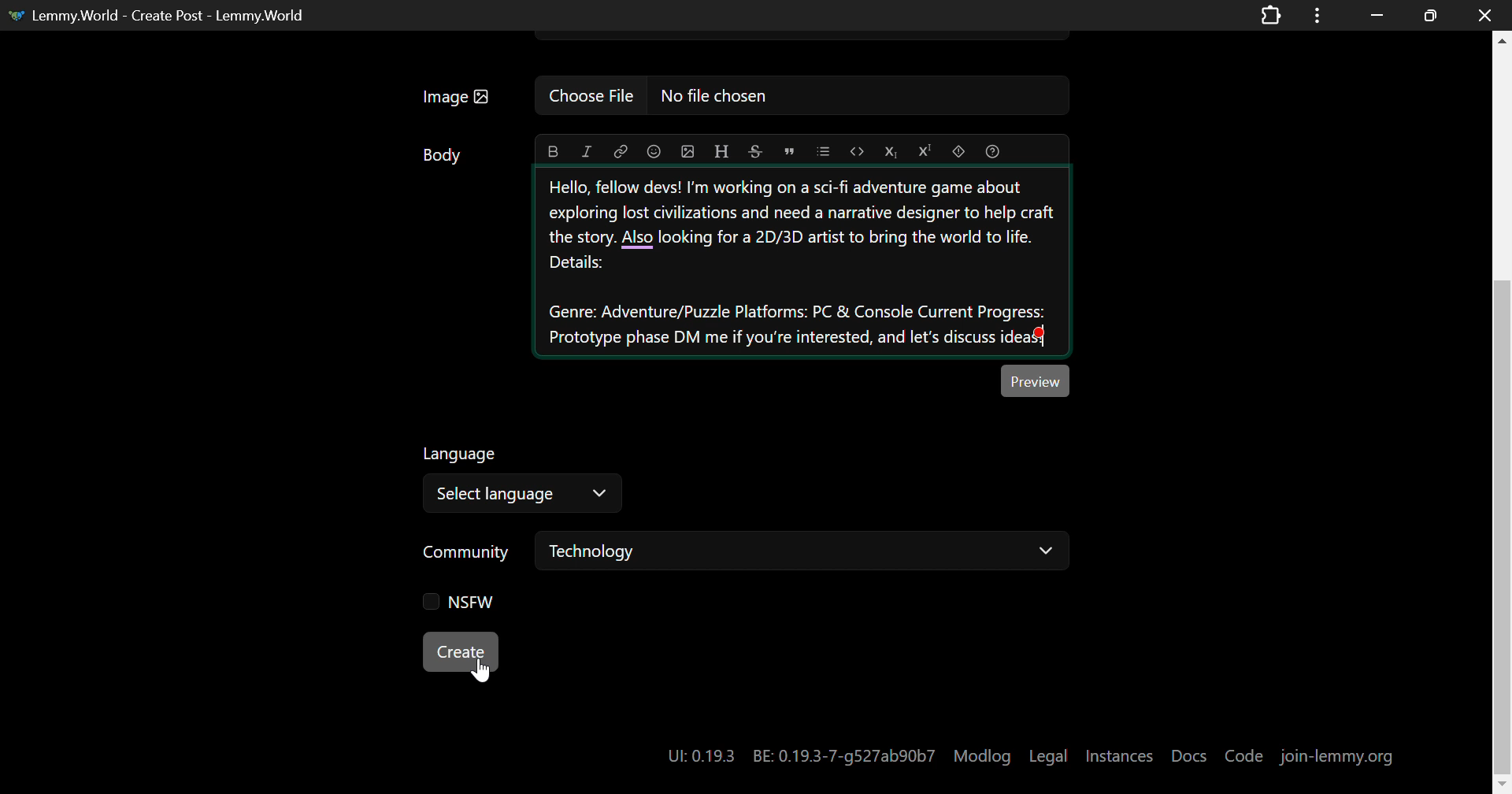  Describe the element at coordinates (589, 150) in the screenshot. I see `italic` at that location.